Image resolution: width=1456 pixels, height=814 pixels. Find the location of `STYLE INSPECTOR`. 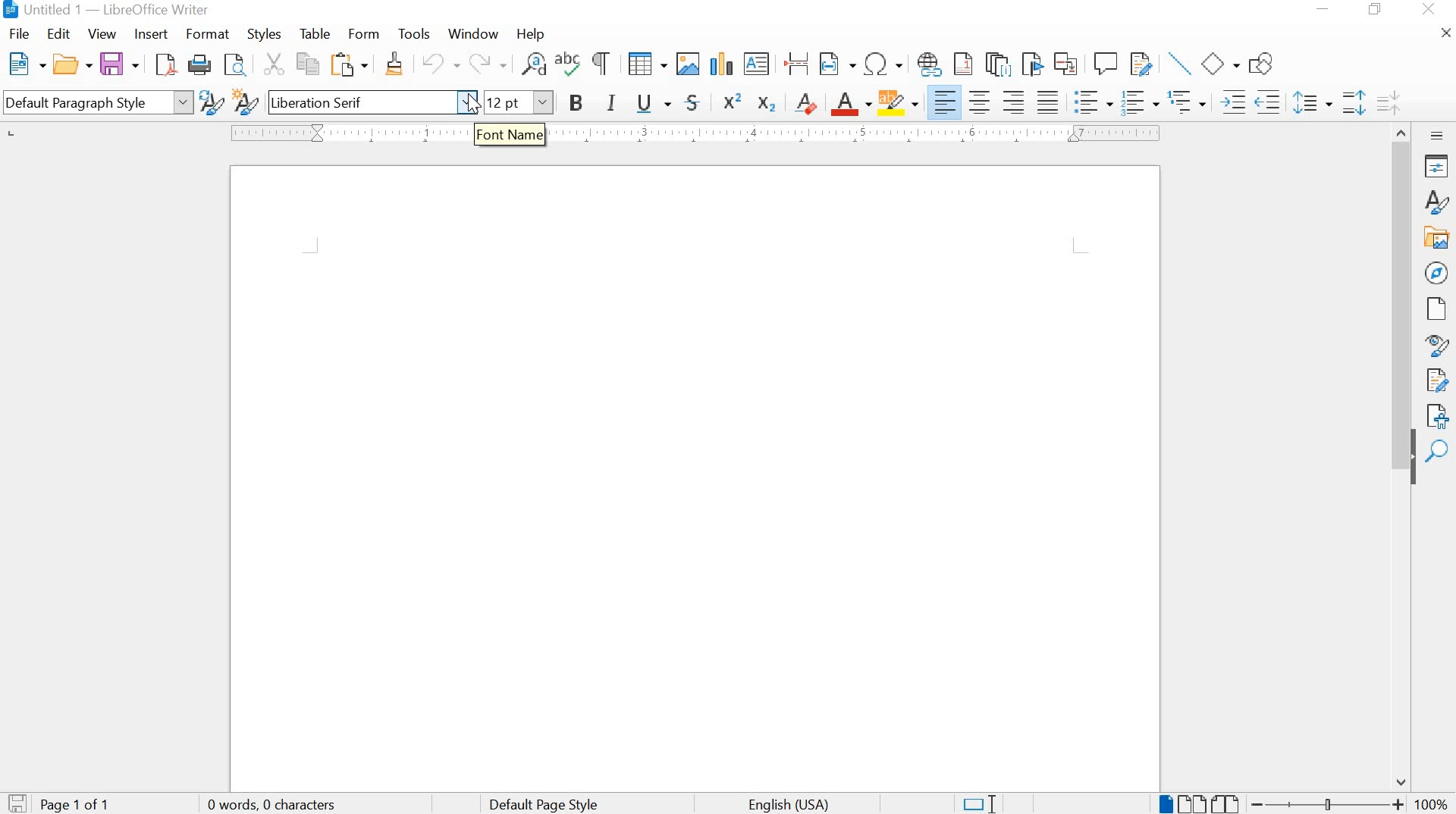

STYLE INSPECTOR is located at coordinates (1436, 344).